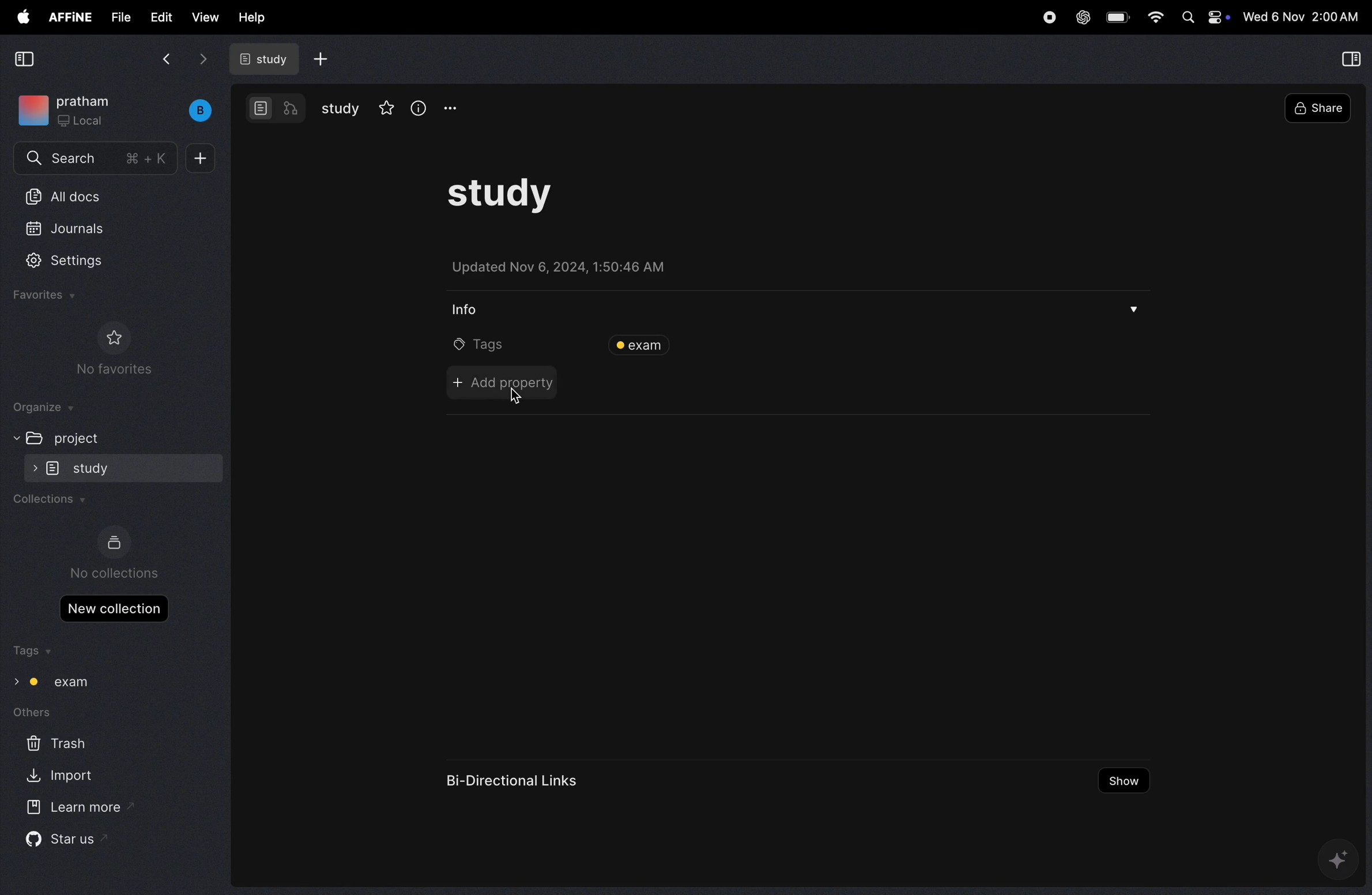  I want to click on show, so click(1124, 781).